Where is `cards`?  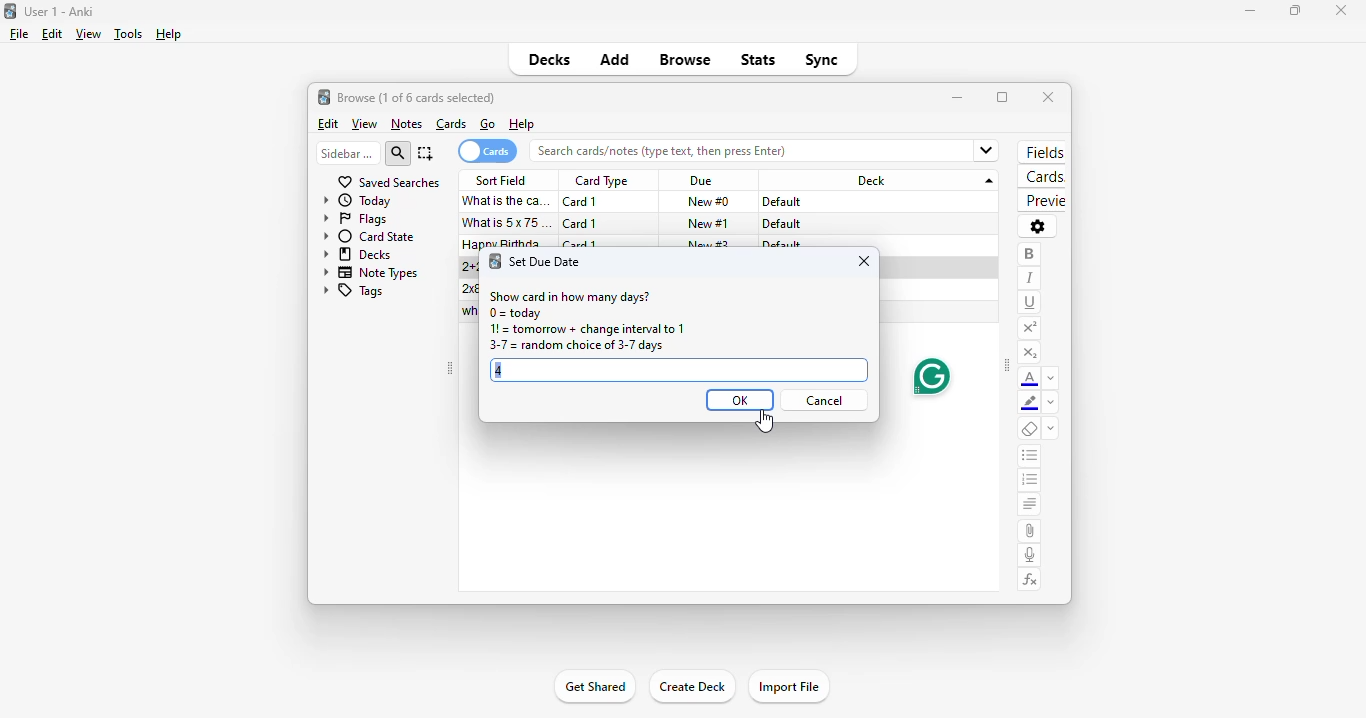 cards is located at coordinates (452, 124).